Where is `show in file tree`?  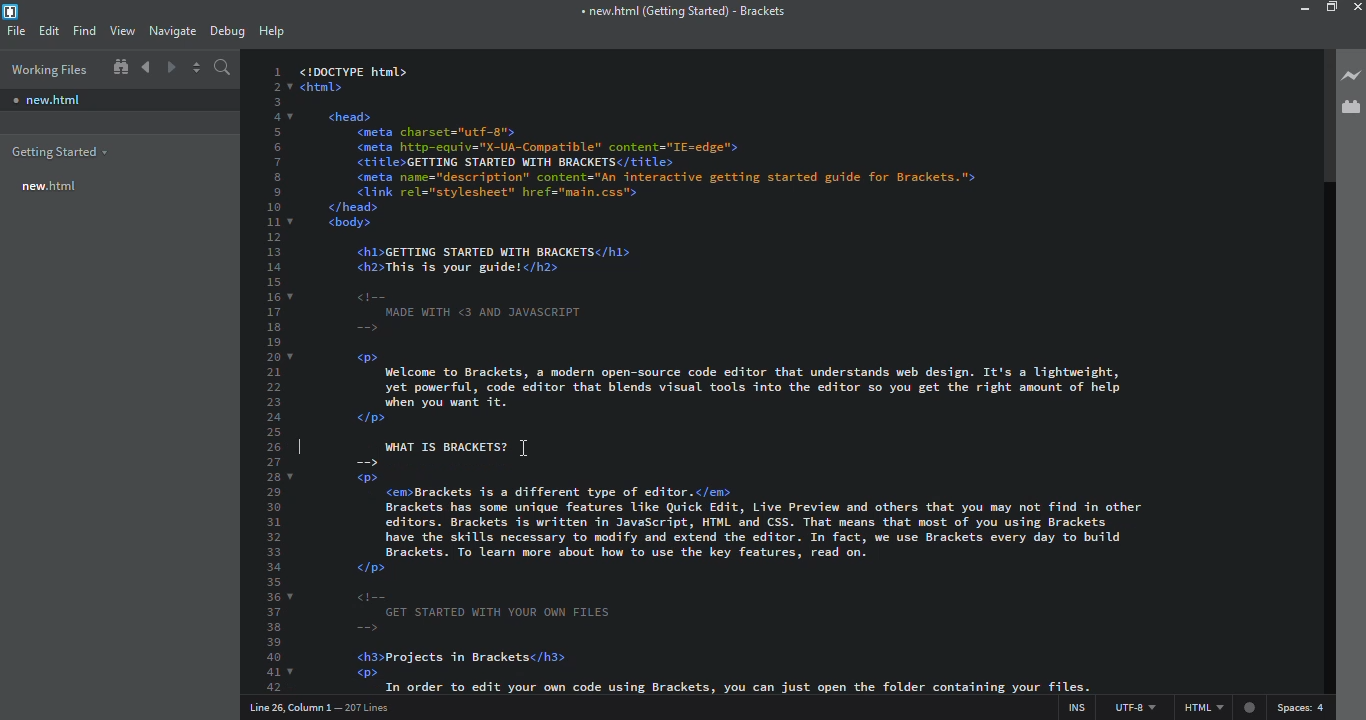
show in file tree is located at coordinates (120, 68).